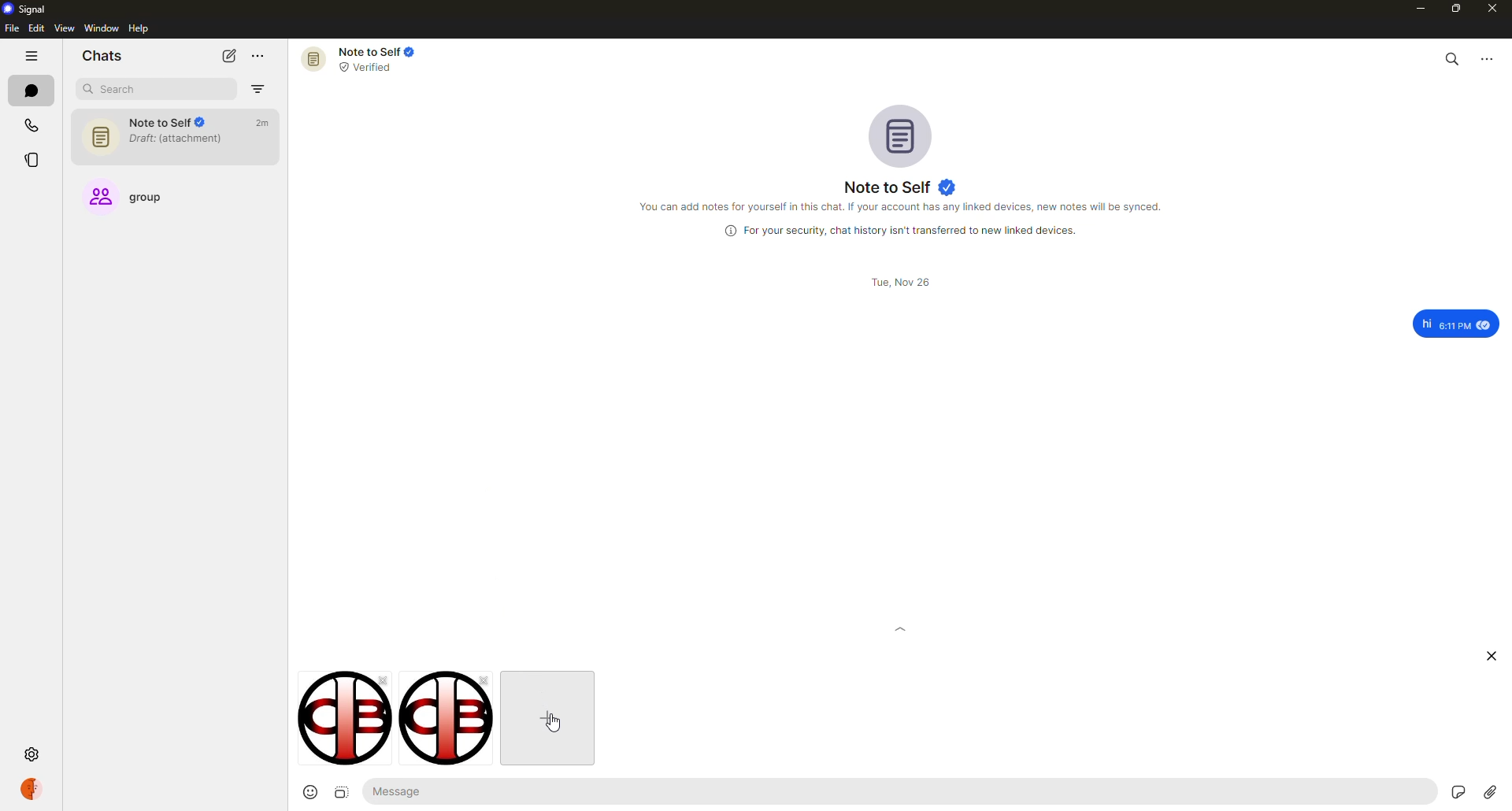  What do you see at coordinates (906, 231) in the screenshot?
I see `info` at bounding box center [906, 231].